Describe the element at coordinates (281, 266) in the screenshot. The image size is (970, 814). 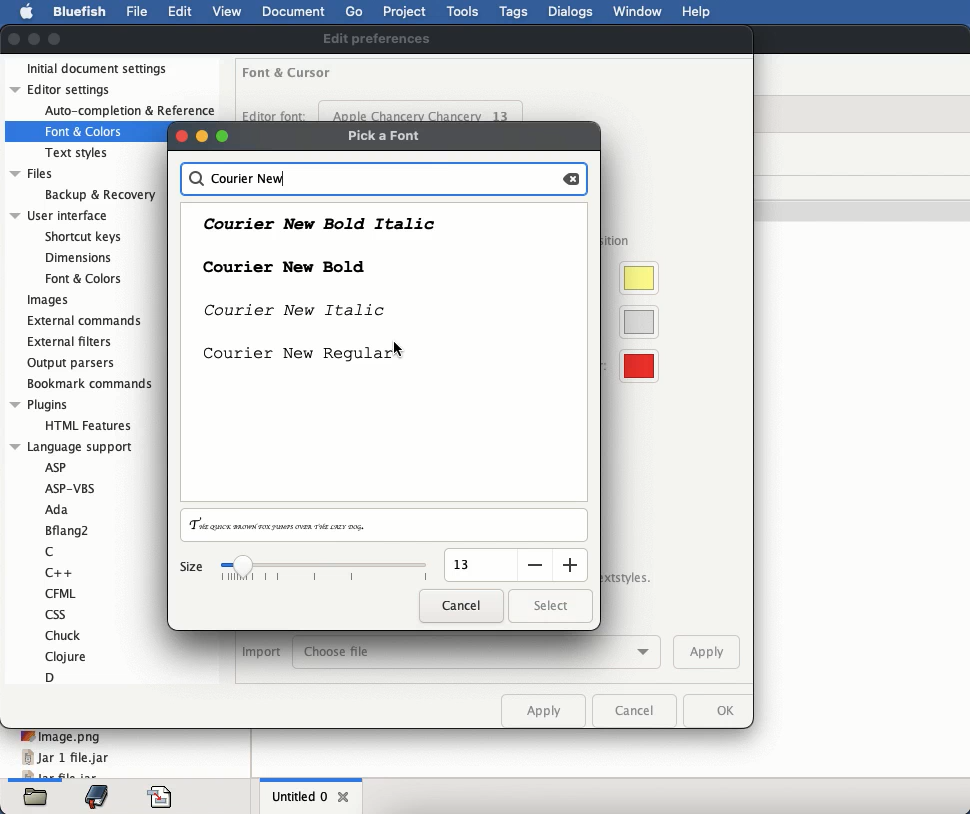
I see `courier new bold` at that location.